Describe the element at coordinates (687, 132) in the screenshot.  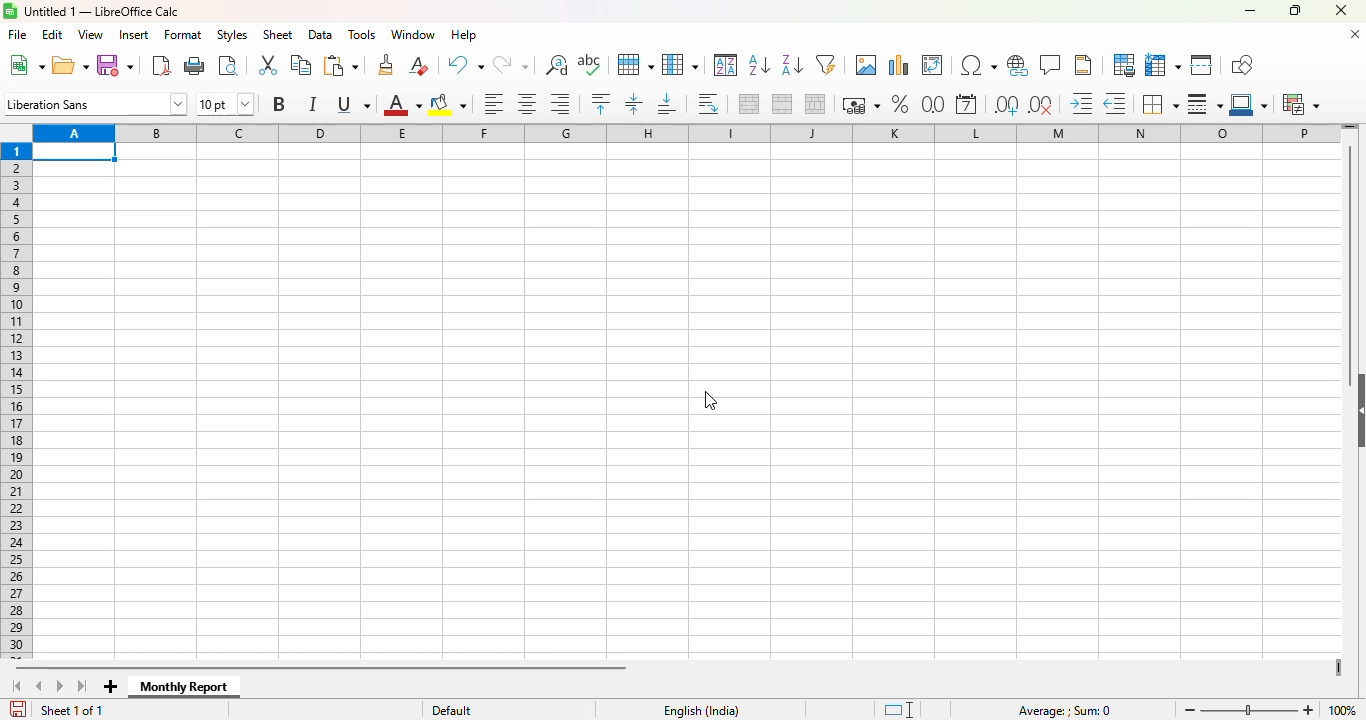
I see `columns` at that location.